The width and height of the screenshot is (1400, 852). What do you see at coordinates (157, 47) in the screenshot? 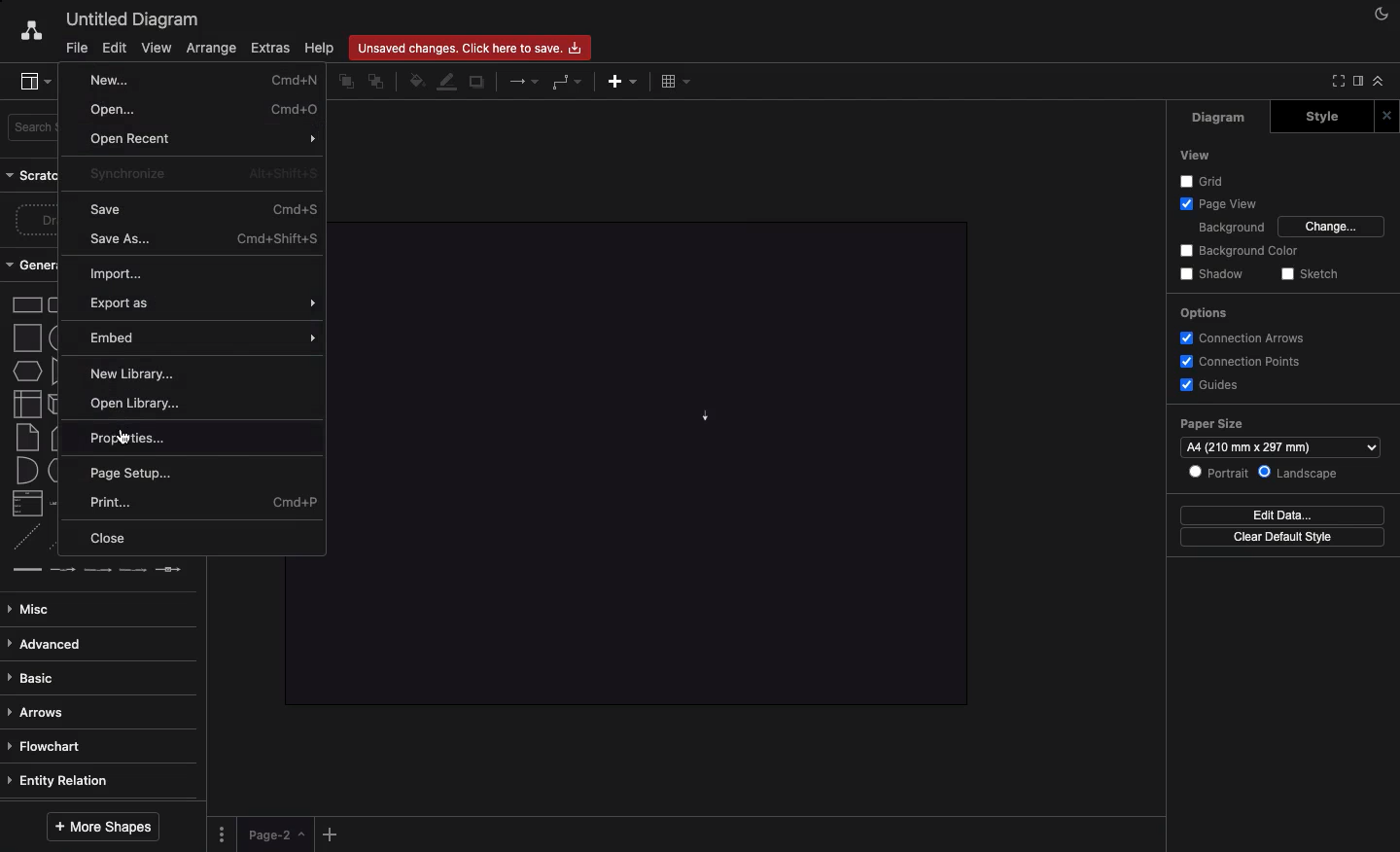
I see `View` at bounding box center [157, 47].